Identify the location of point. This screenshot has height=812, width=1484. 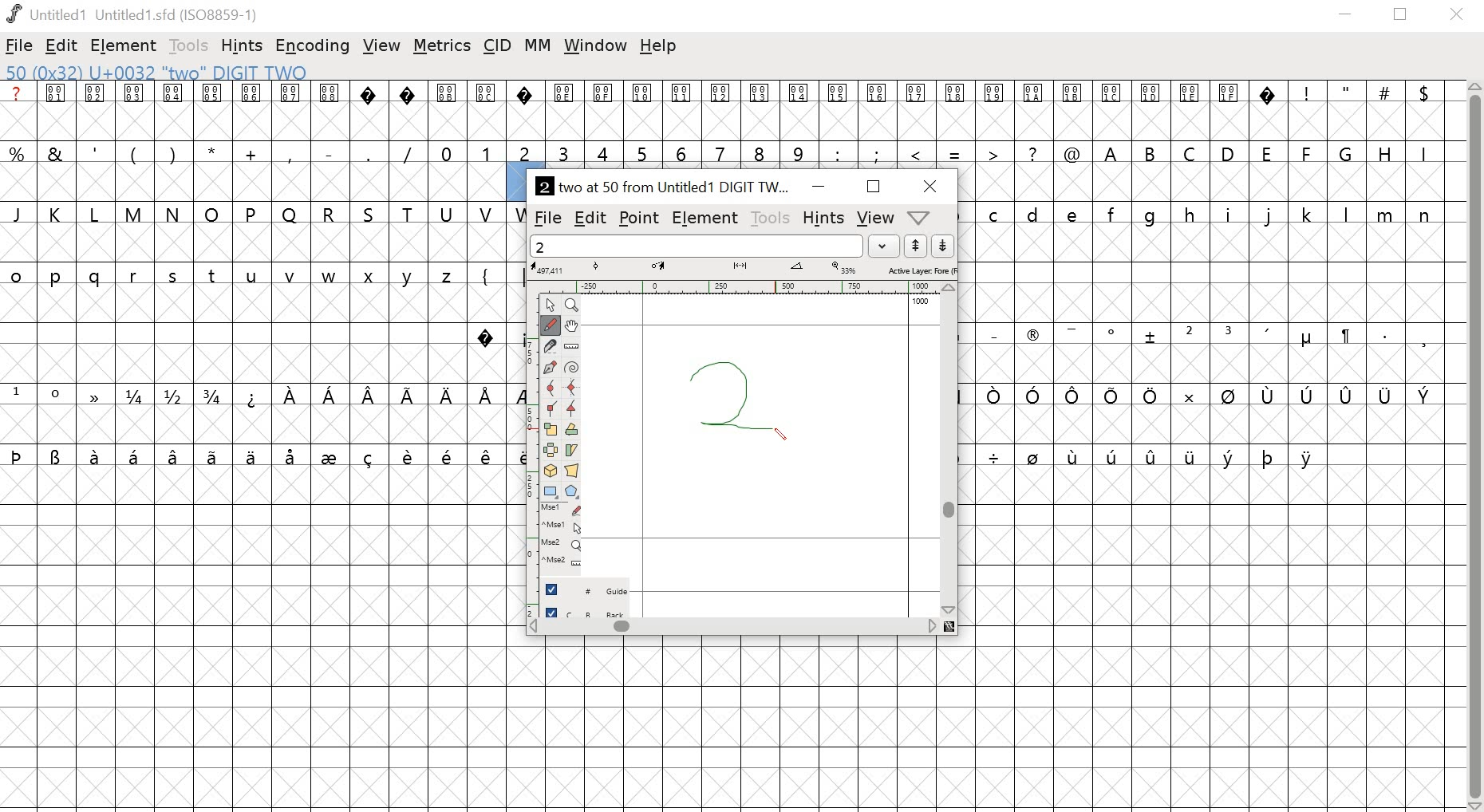
(638, 218).